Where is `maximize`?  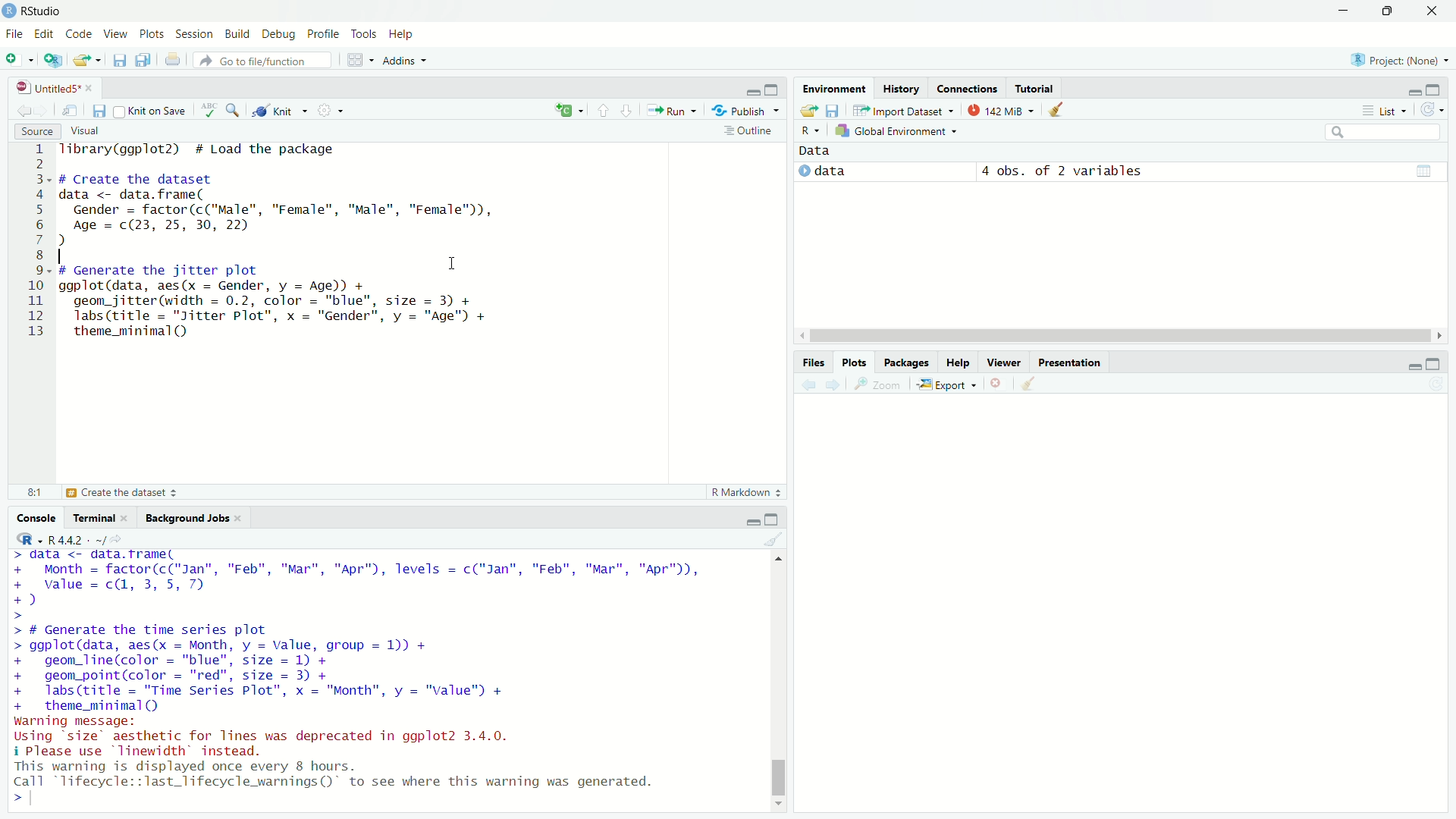
maximize is located at coordinates (775, 88).